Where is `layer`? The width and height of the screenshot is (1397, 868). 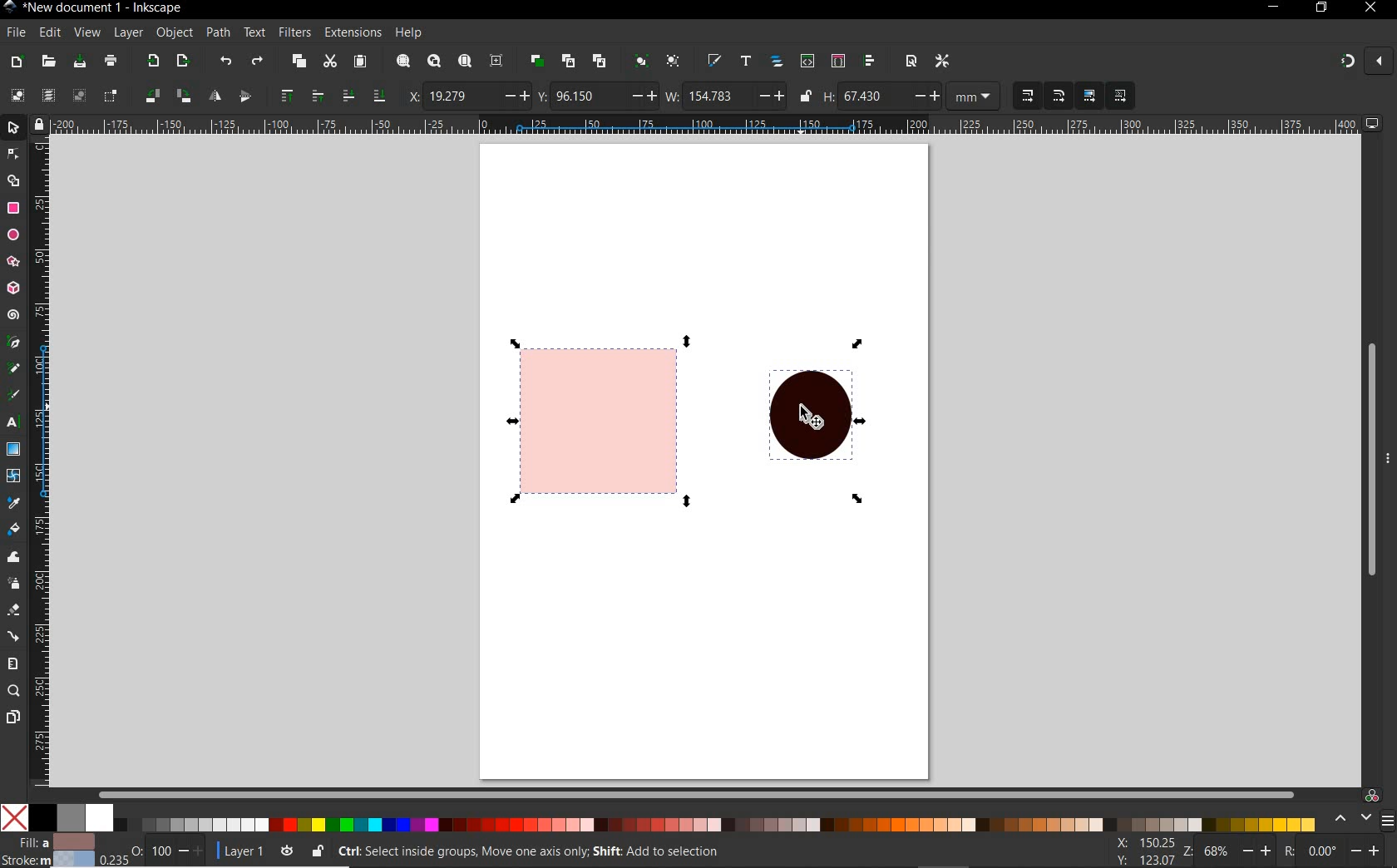 layer is located at coordinates (129, 32).